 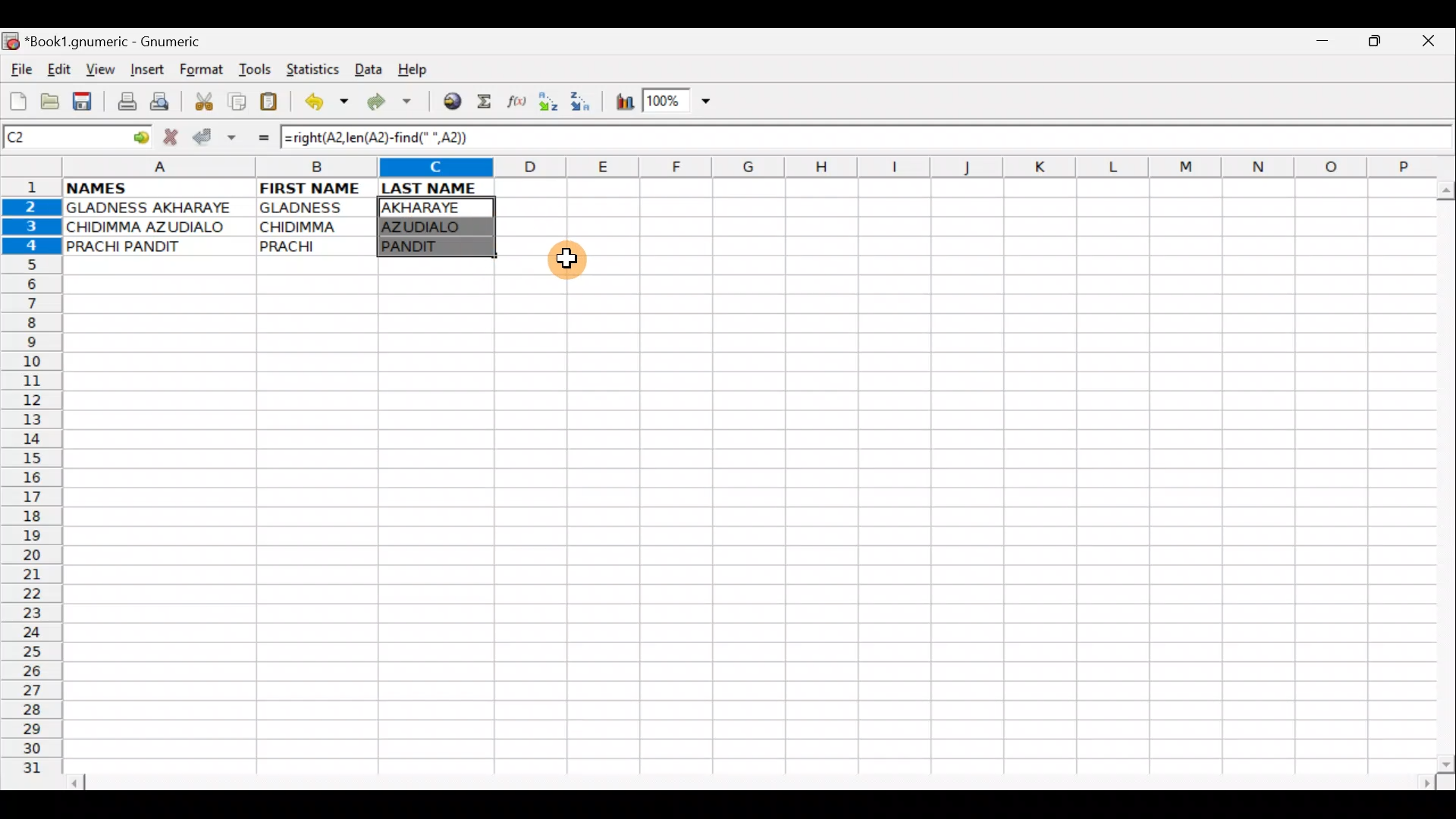 What do you see at coordinates (146, 70) in the screenshot?
I see `Insert` at bounding box center [146, 70].